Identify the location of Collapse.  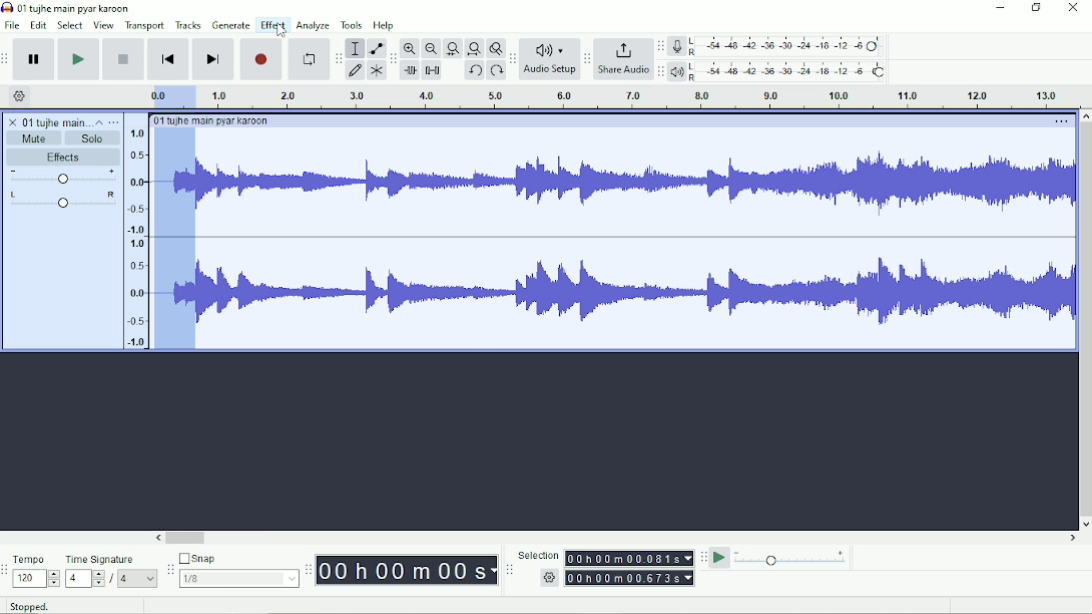
(99, 122).